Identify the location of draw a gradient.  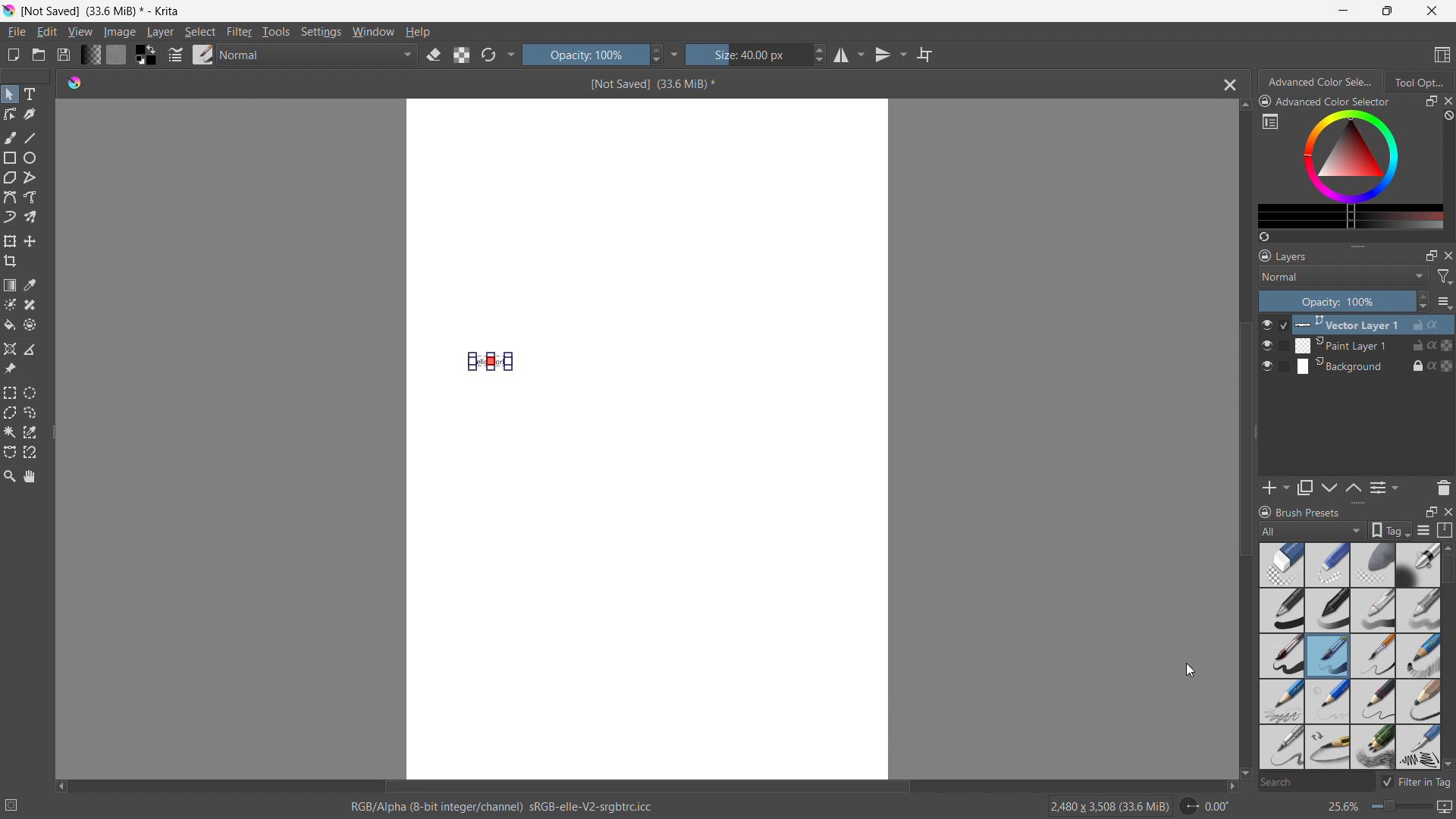
(10, 285).